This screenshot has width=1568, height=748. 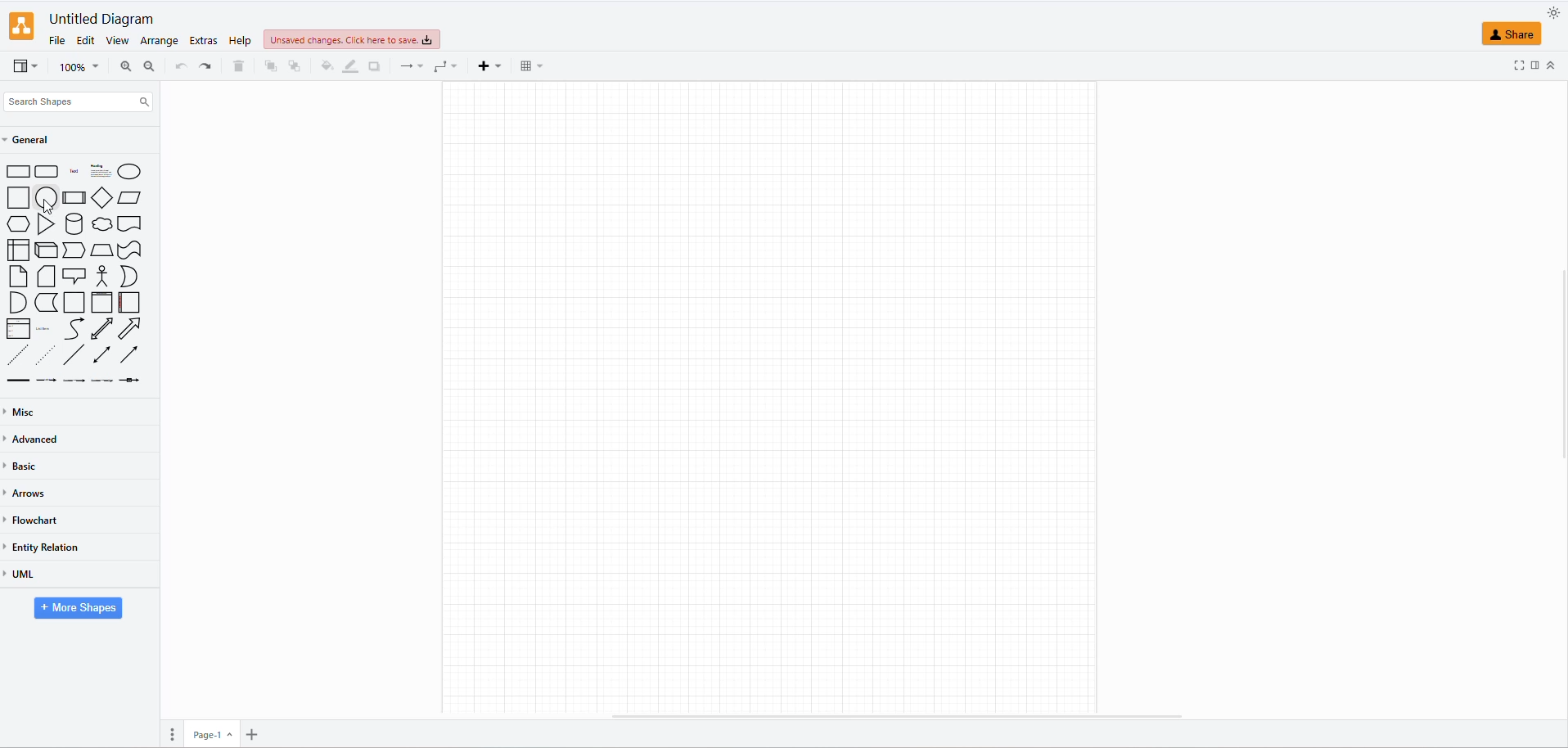 What do you see at coordinates (133, 382) in the screenshot?
I see `arrow with fields` at bounding box center [133, 382].